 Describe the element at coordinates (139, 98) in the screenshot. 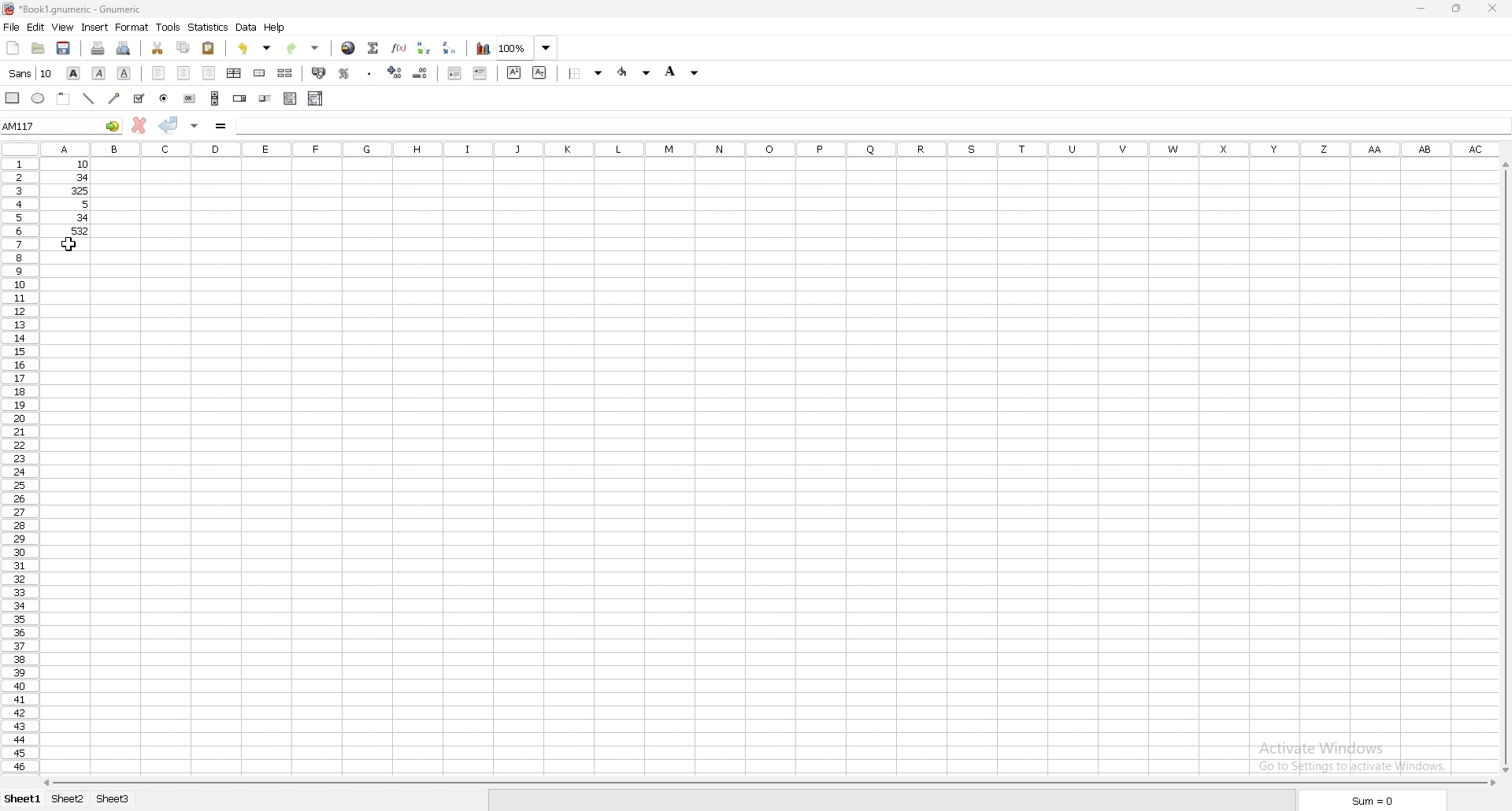

I see `tickbox` at that location.